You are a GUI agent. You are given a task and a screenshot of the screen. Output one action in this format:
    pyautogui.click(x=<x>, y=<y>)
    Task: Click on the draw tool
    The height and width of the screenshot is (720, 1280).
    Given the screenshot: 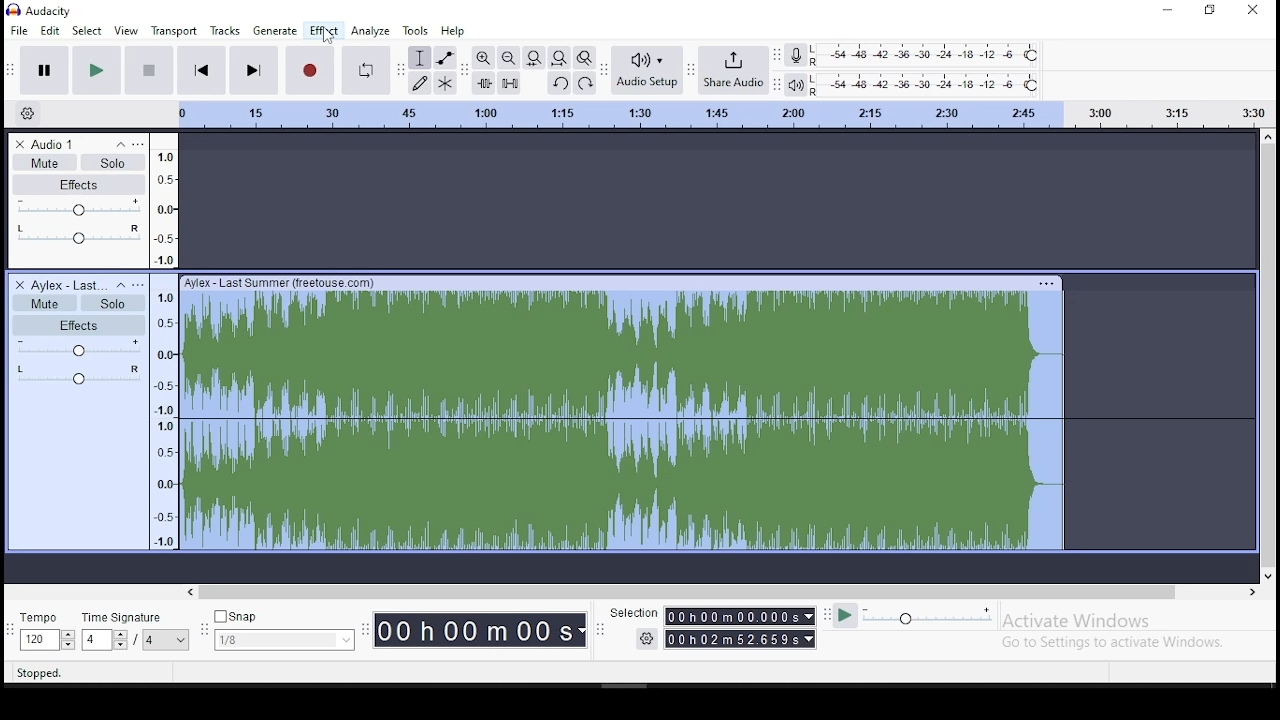 What is the action you would take?
    pyautogui.click(x=417, y=82)
    